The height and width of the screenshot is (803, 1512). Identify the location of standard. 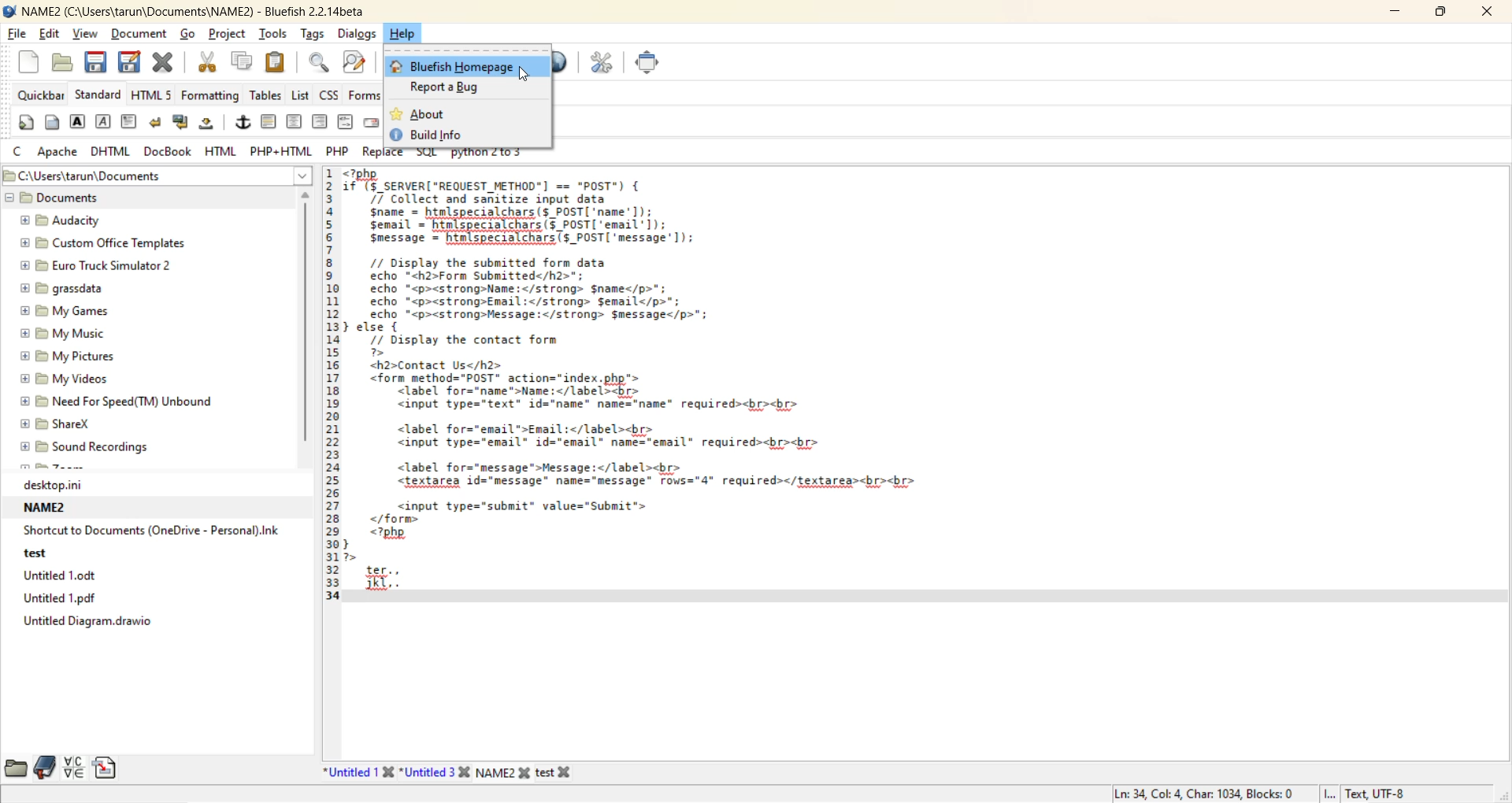
(99, 94).